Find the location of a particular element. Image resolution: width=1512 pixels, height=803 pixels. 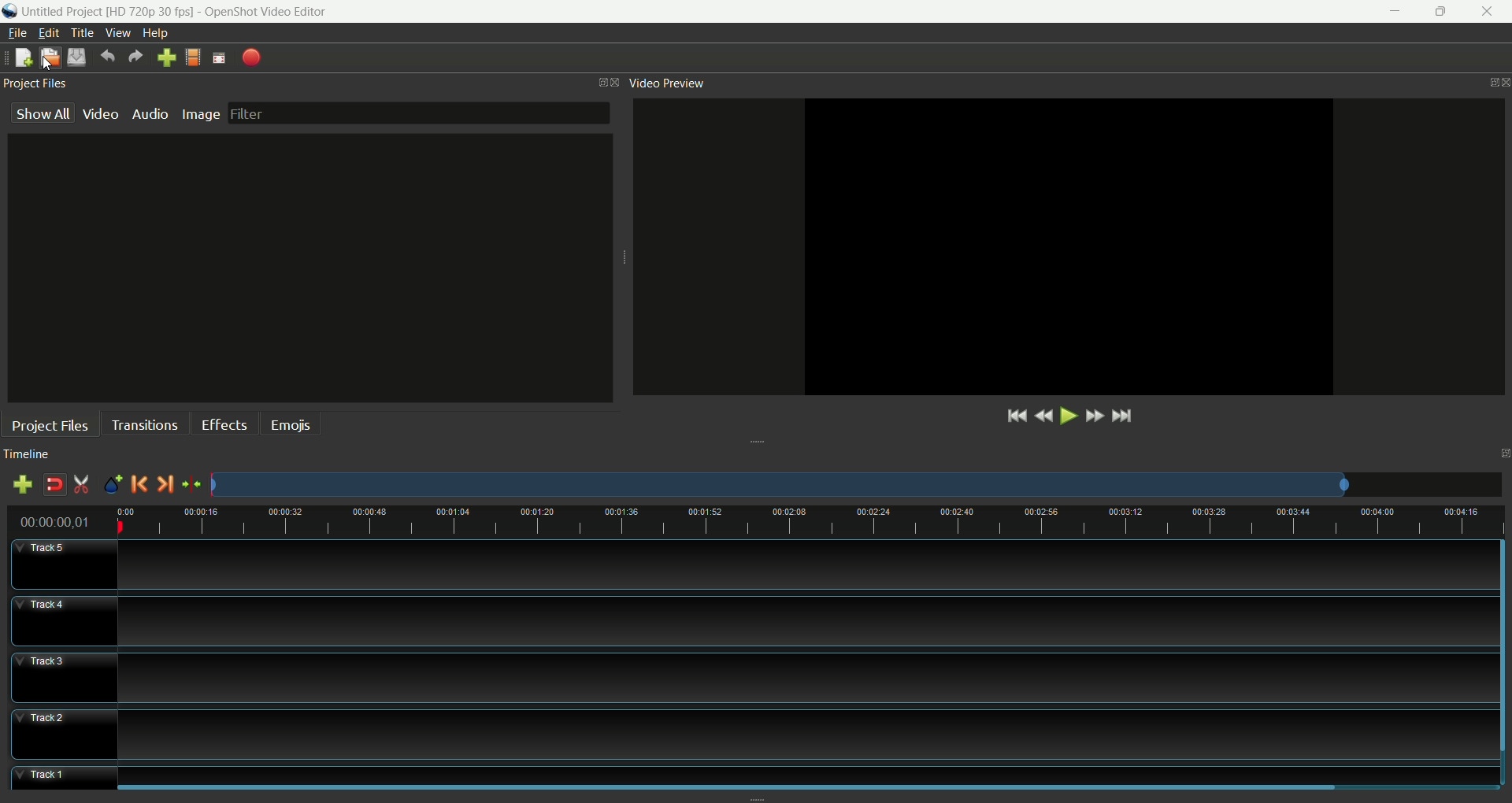

maximize is located at coordinates (1503, 451).